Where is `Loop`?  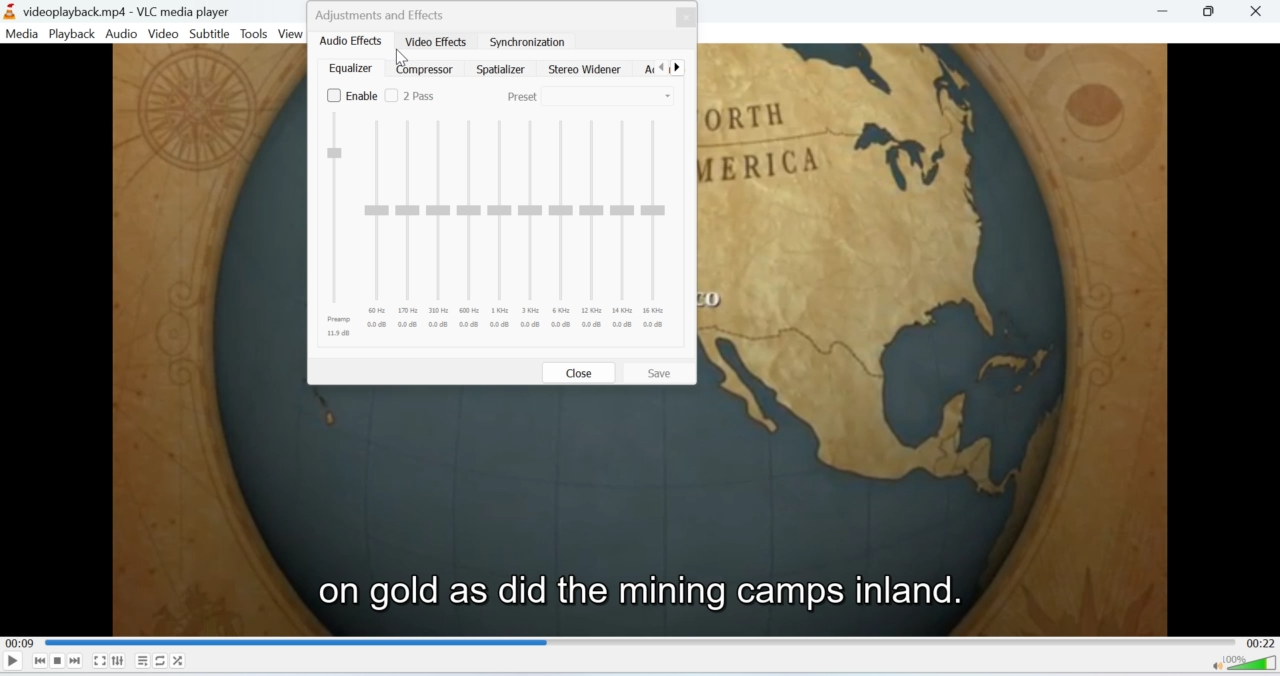
Loop is located at coordinates (161, 660).